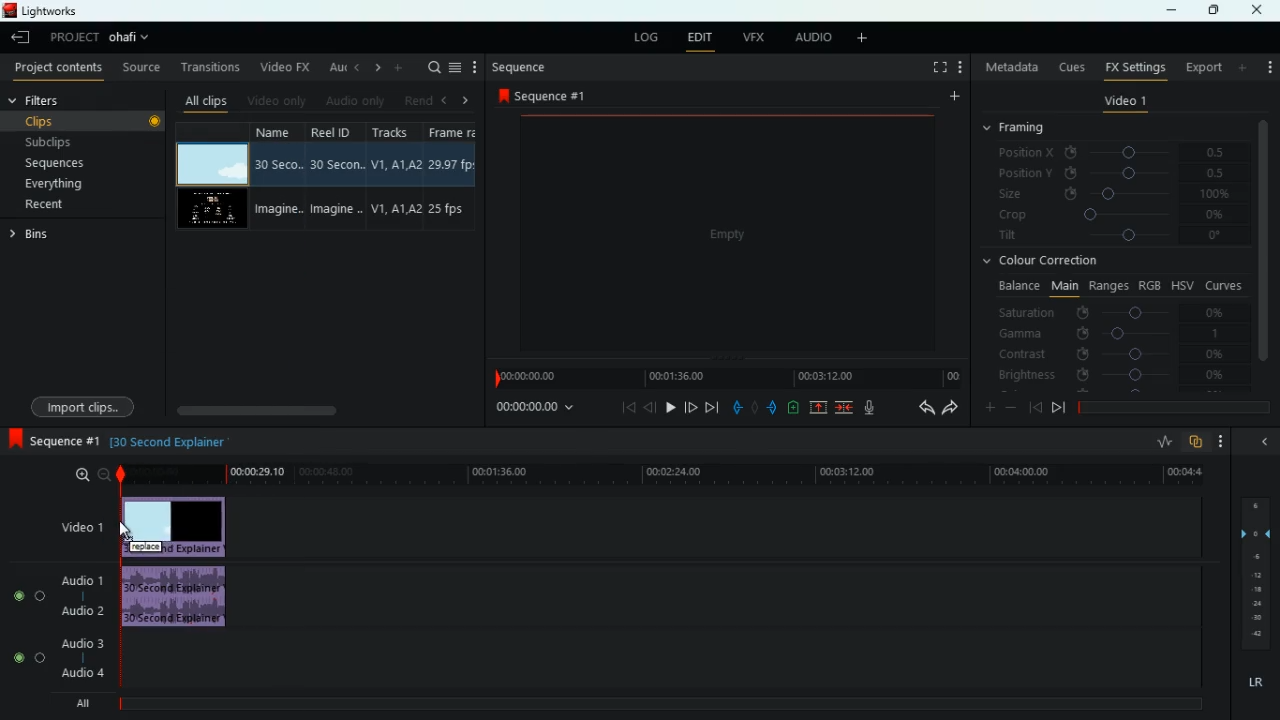 The image size is (1280, 720). What do you see at coordinates (1133, 67) in the screenshot?
I see `fx settings` at bounding box center [1133, 67].